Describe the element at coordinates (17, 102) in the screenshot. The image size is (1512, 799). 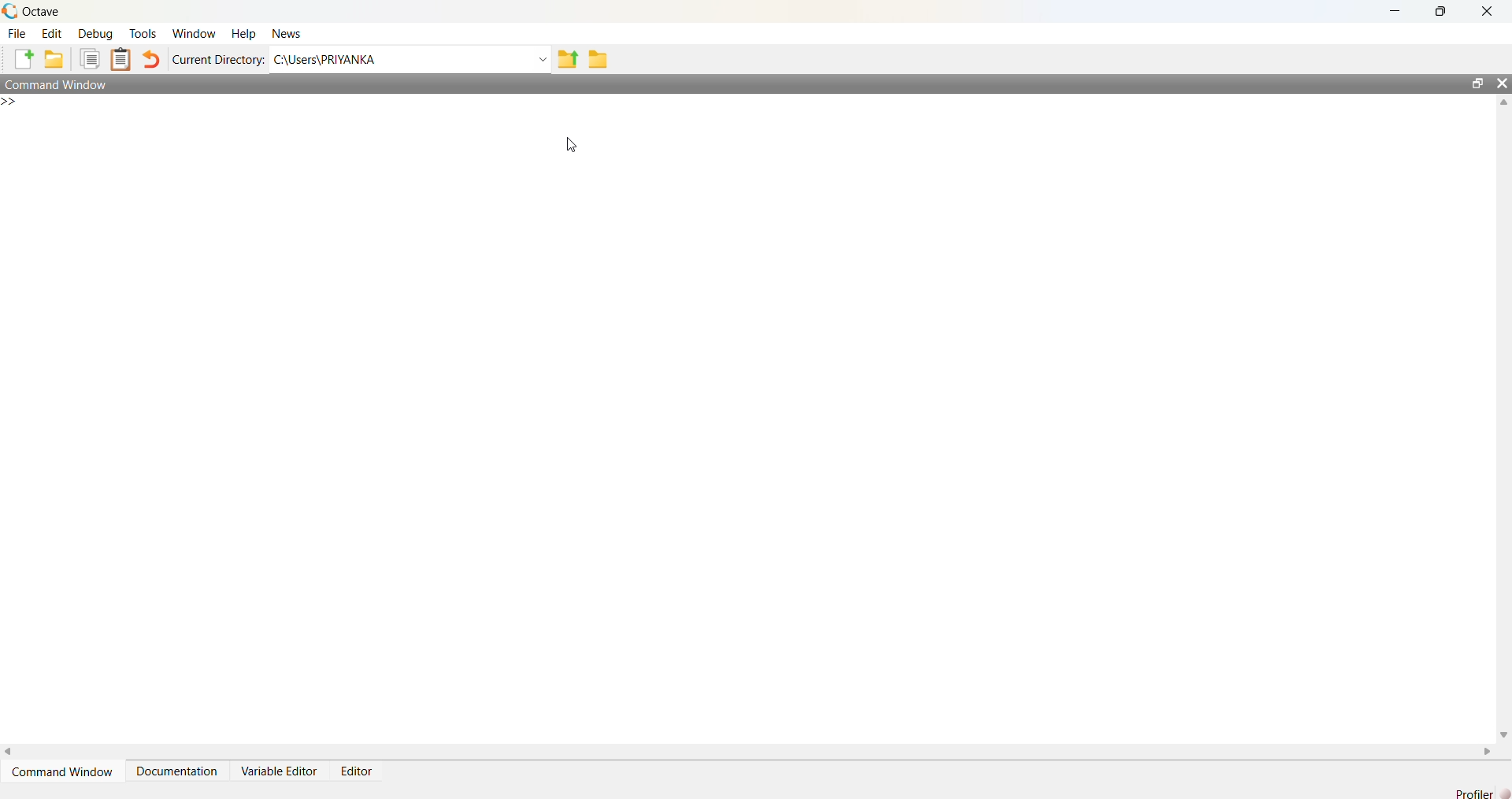
I see `Prompt cursor` at that location.